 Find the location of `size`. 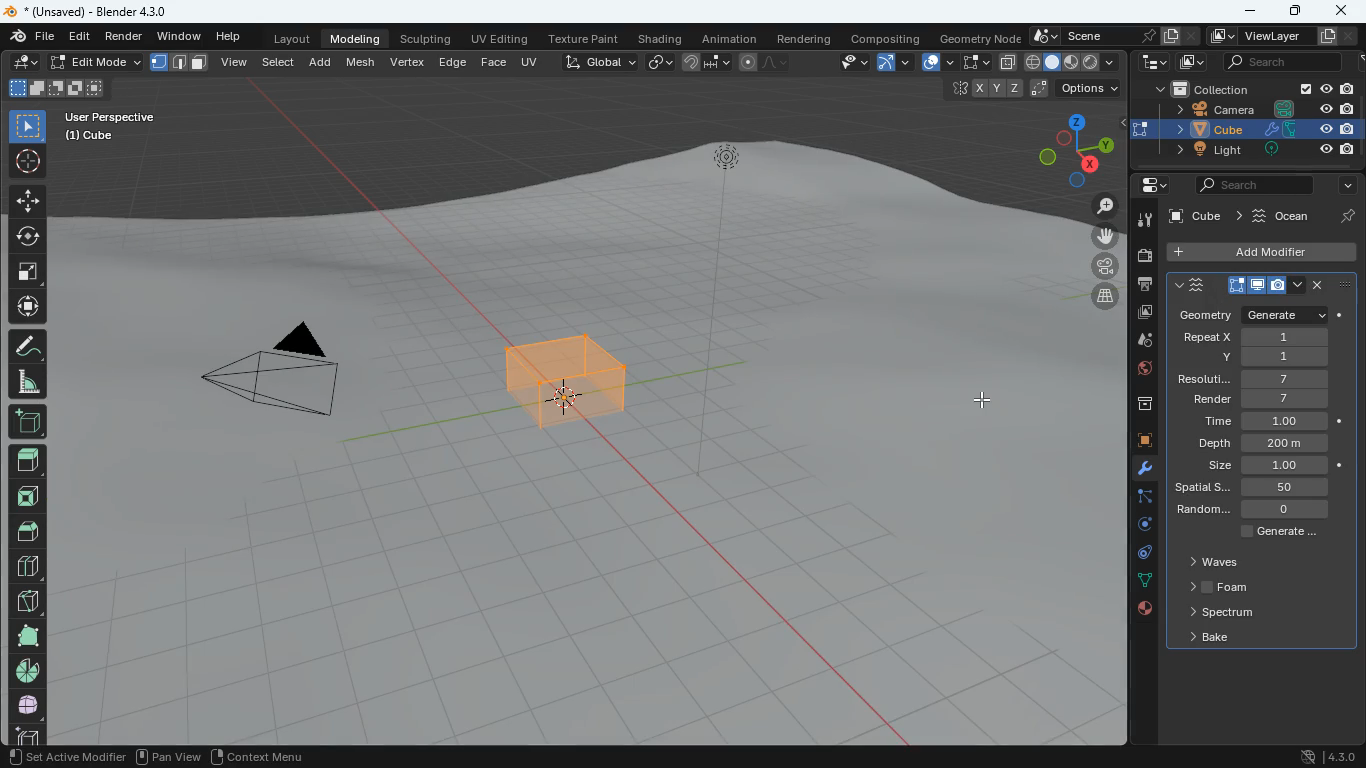

size is located at coordinates (55, 89).